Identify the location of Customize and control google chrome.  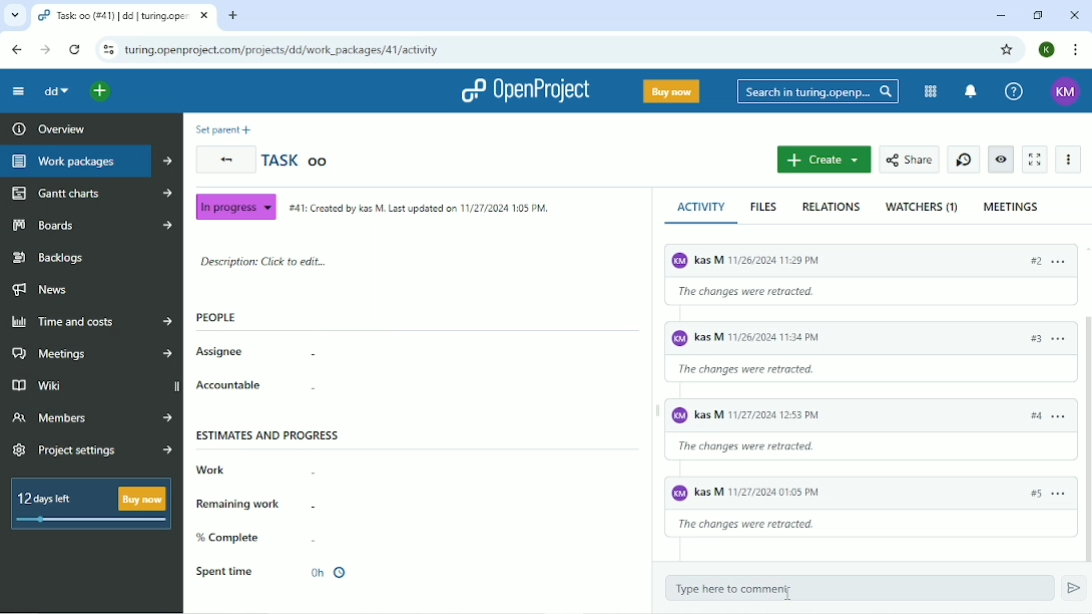
(1076, 51).